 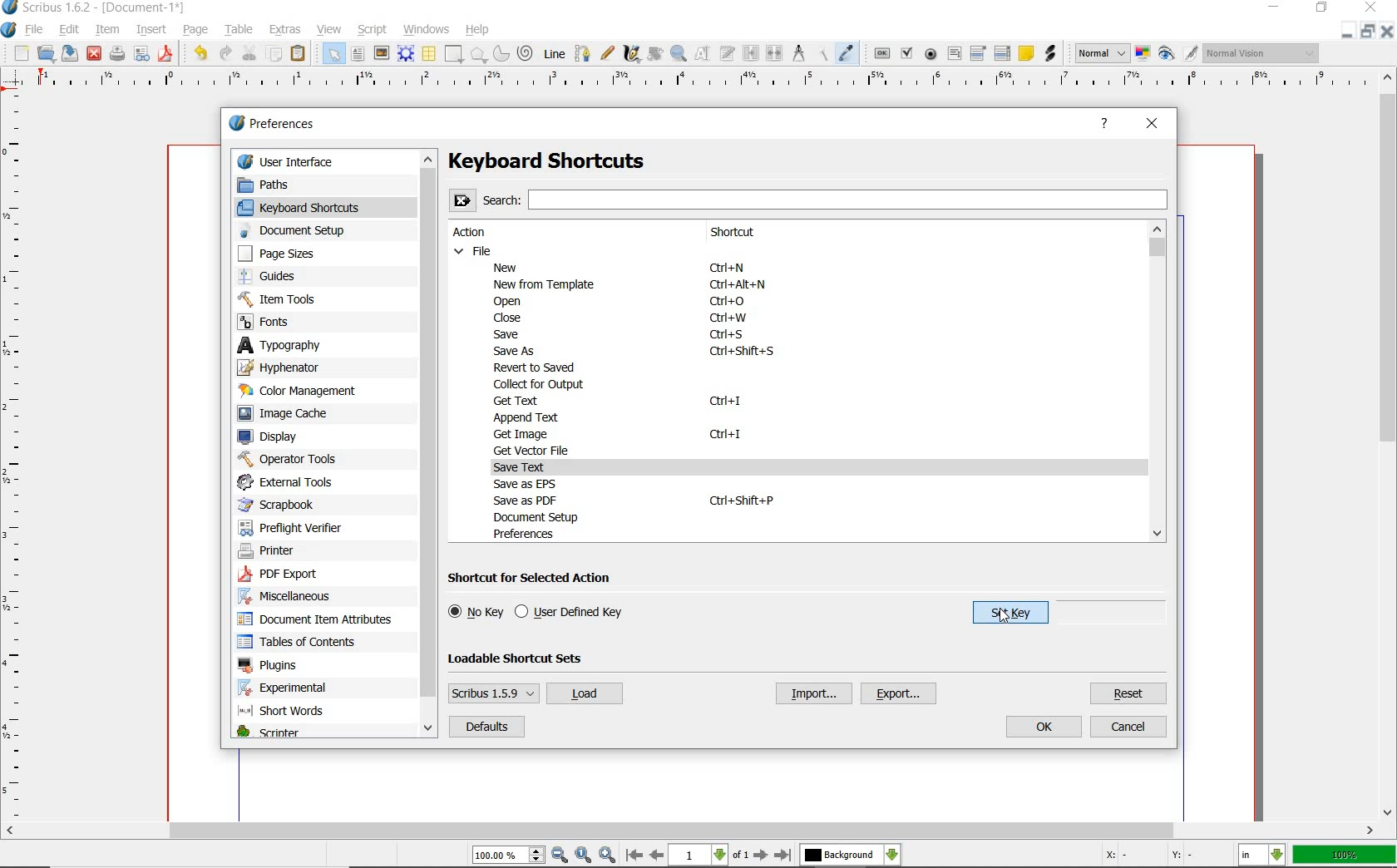 I want to click on scrollbar, so click(x=689, y=832).